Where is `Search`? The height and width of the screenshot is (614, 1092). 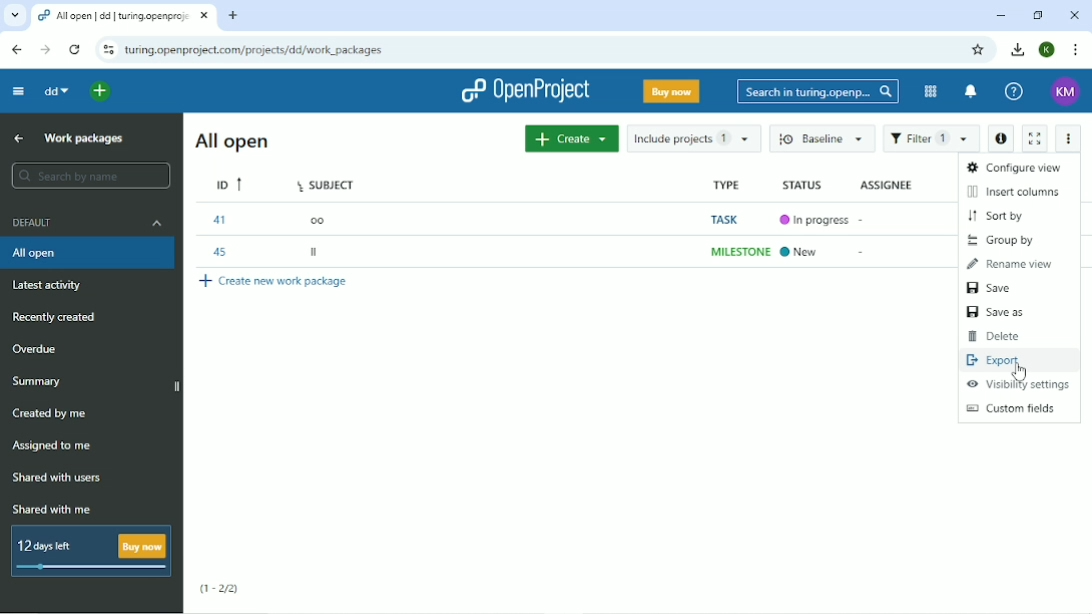
Search is located at coordinates (816, 91).